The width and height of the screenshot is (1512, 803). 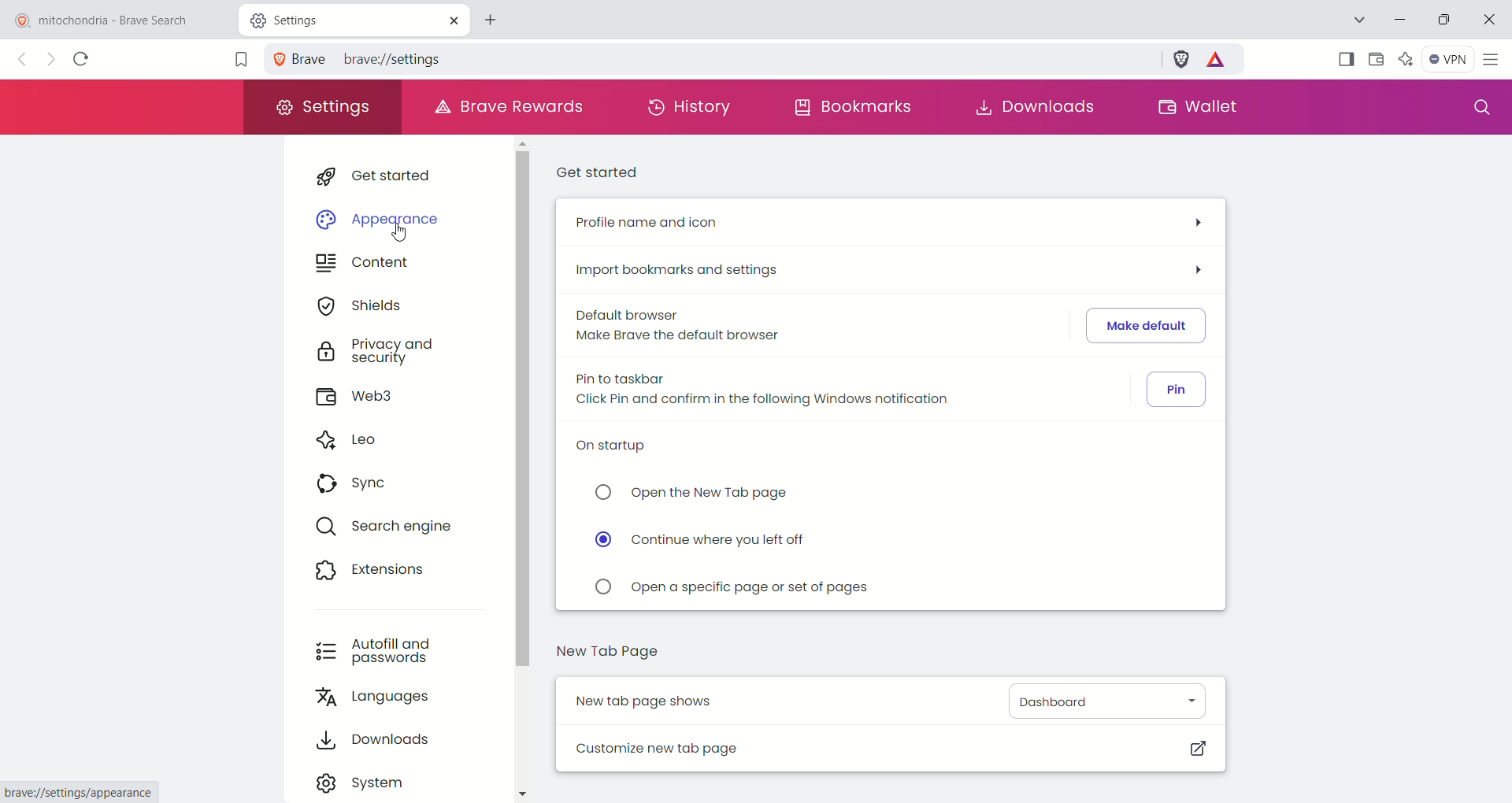 What do you see at coordinates (363, 398) in the screenshot?
I see `web3` at bounding box center [363, 398].